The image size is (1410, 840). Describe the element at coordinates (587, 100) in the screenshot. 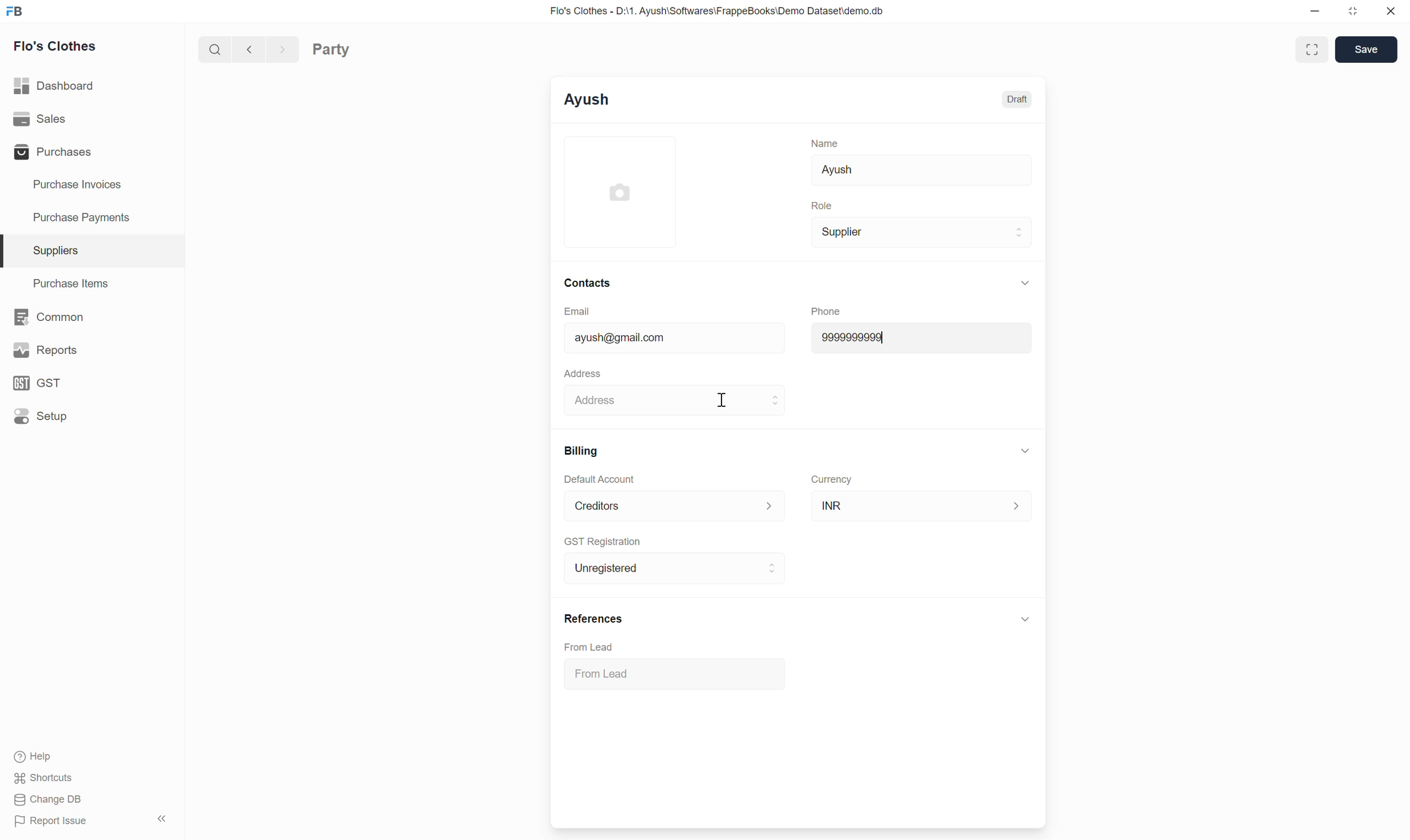

I see `Ayush` at that location.